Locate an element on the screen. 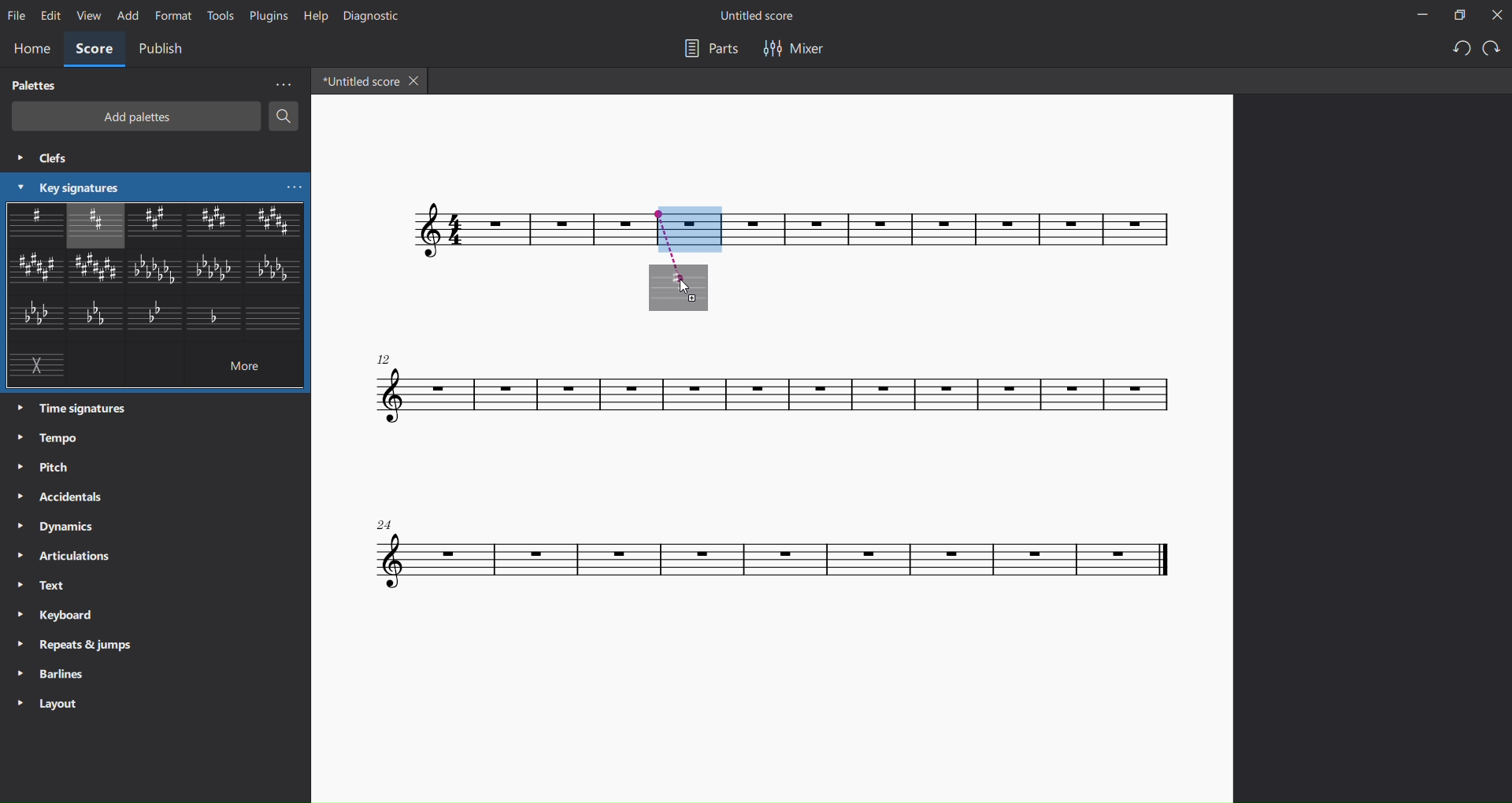 Image resolution: width=1512 pixels, height=803 pixels. more is located at coordinates (242, 368).